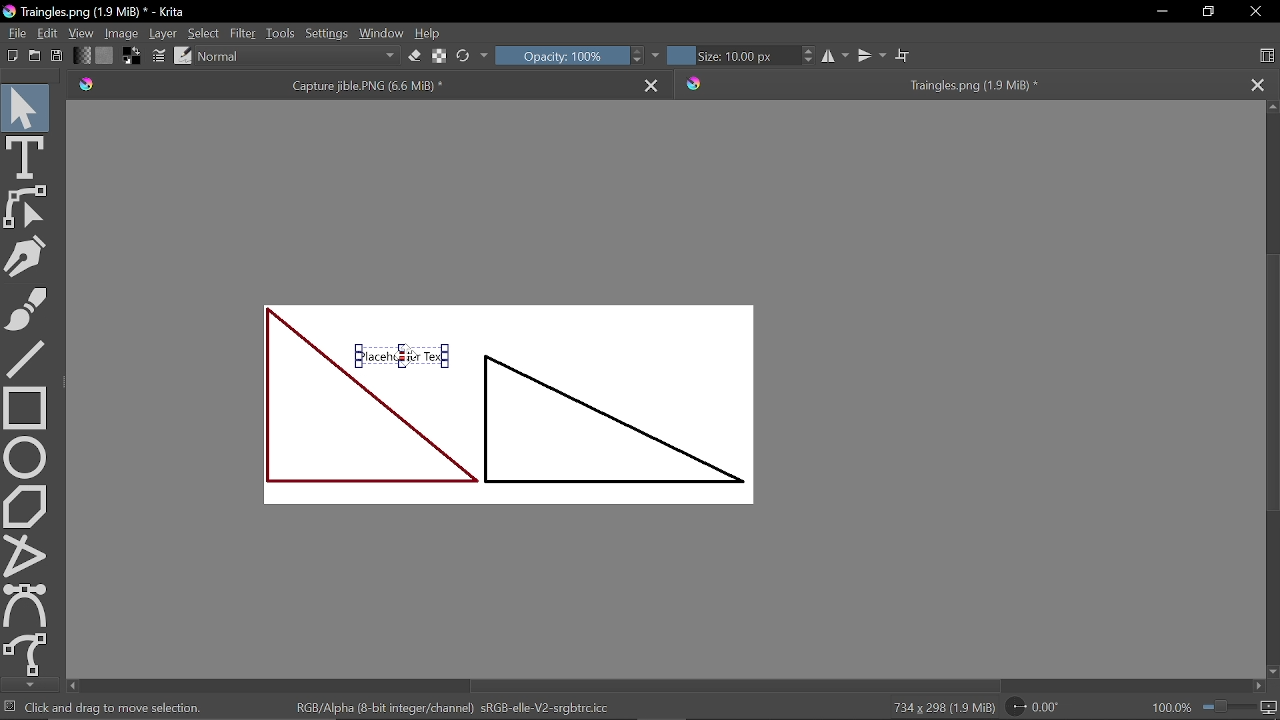 The width and height of the screenshot is (1280, 720). I want to click on Close tab, so click(653, 85).